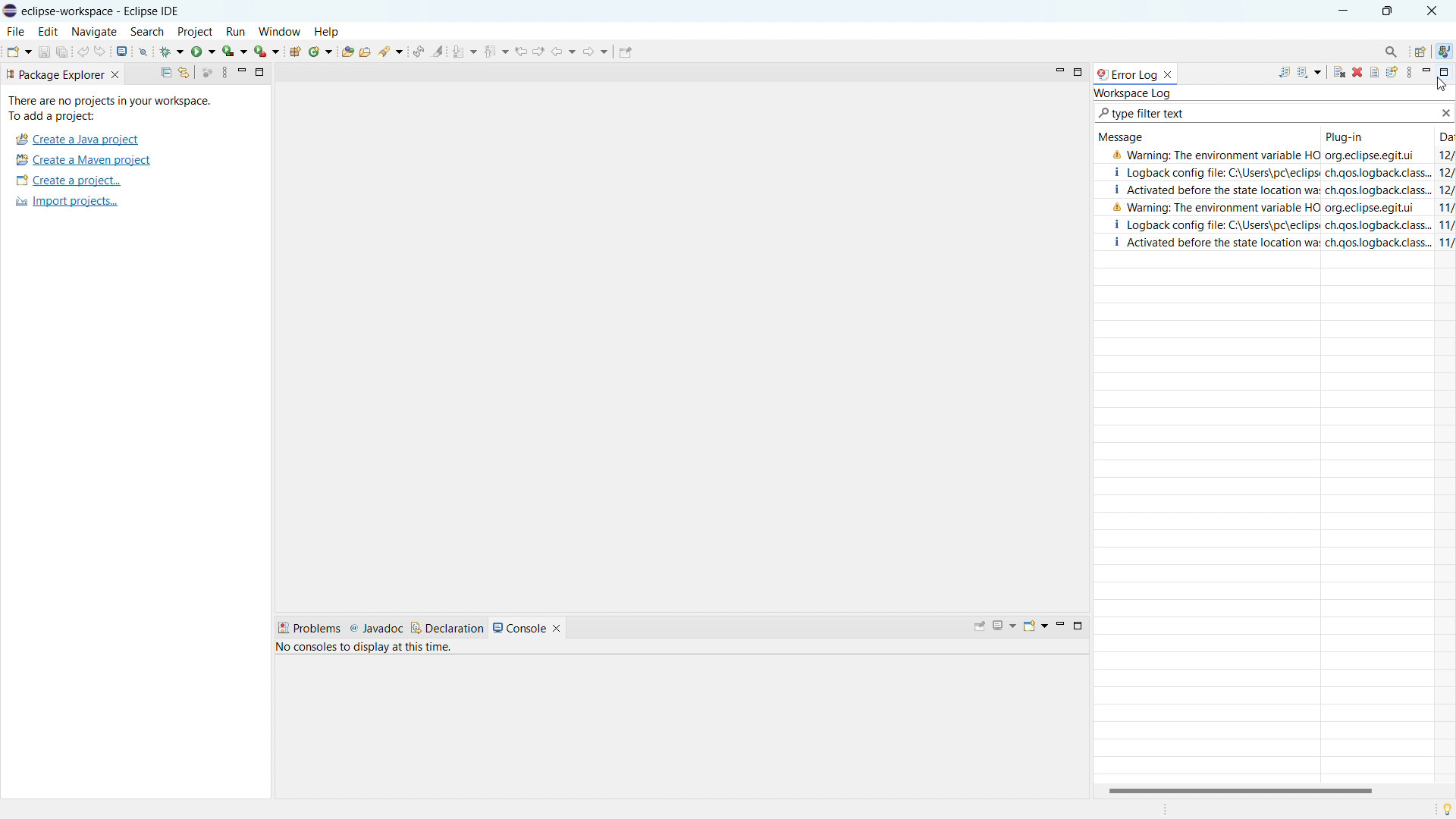  I want to click on help, so click(330, 29).